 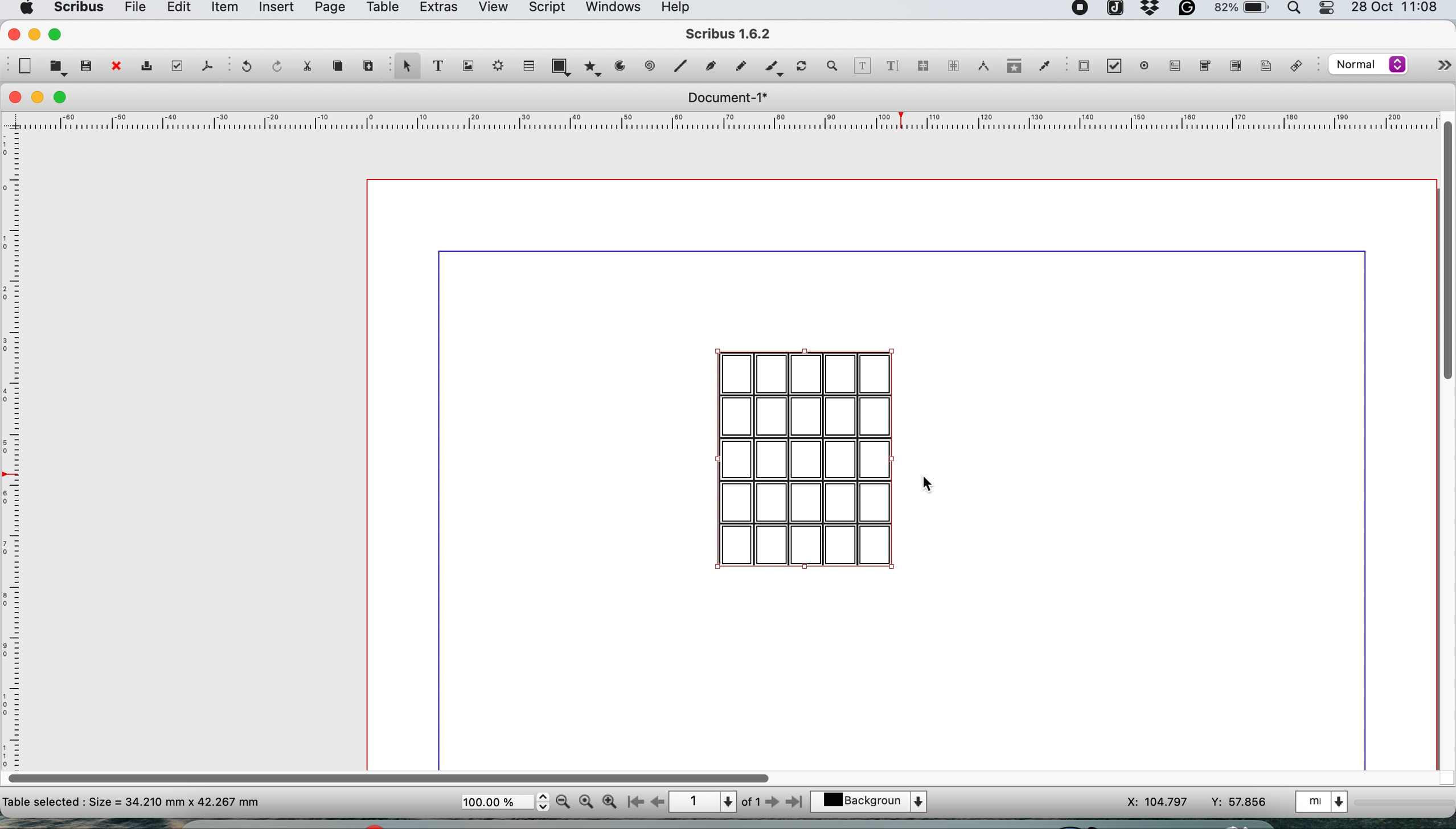 I want to click on pdf list box, so click(x=1234, y=68).